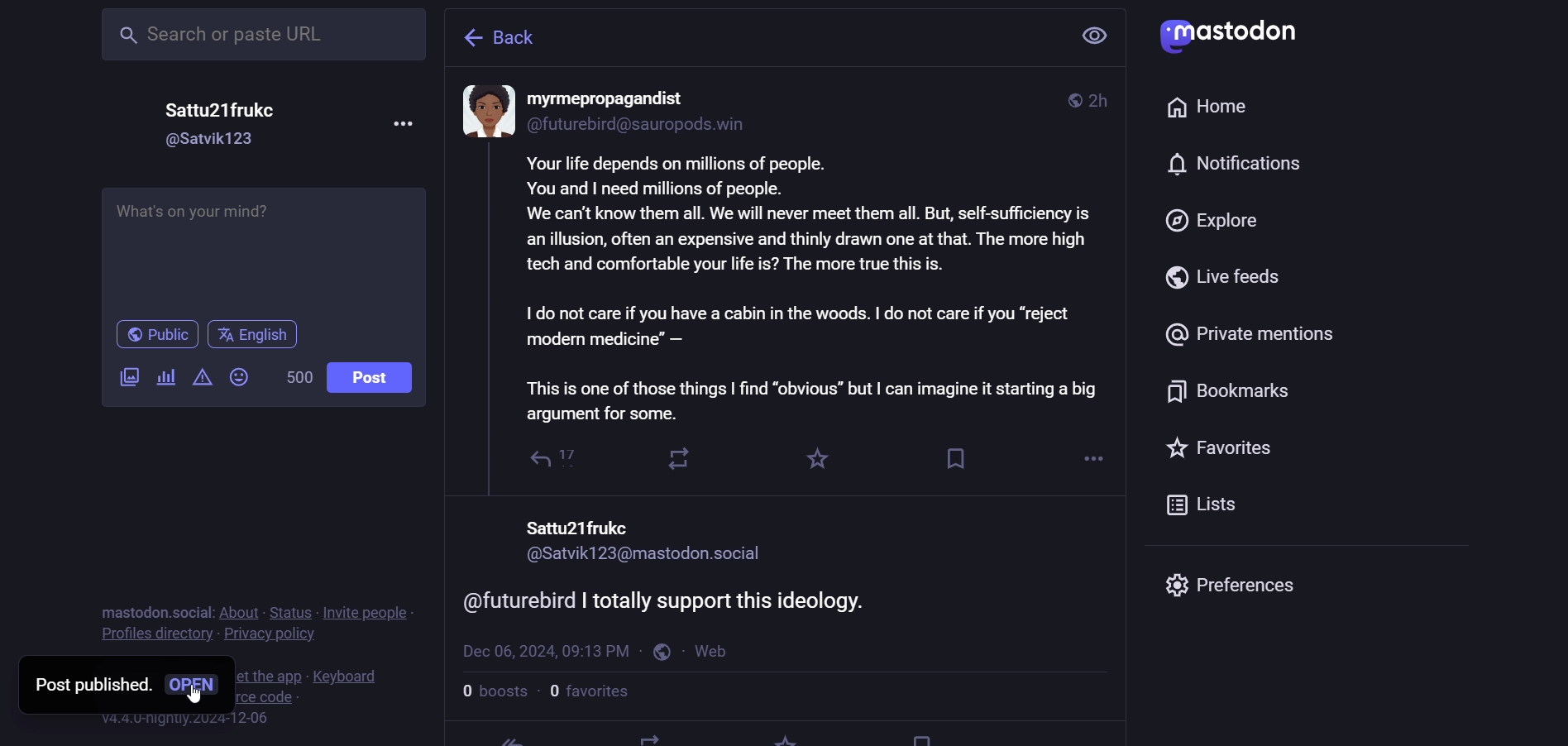  What do you see at coordinates (372, 376) in the screenshot?
I see `post` at bounding box center [372, 376].